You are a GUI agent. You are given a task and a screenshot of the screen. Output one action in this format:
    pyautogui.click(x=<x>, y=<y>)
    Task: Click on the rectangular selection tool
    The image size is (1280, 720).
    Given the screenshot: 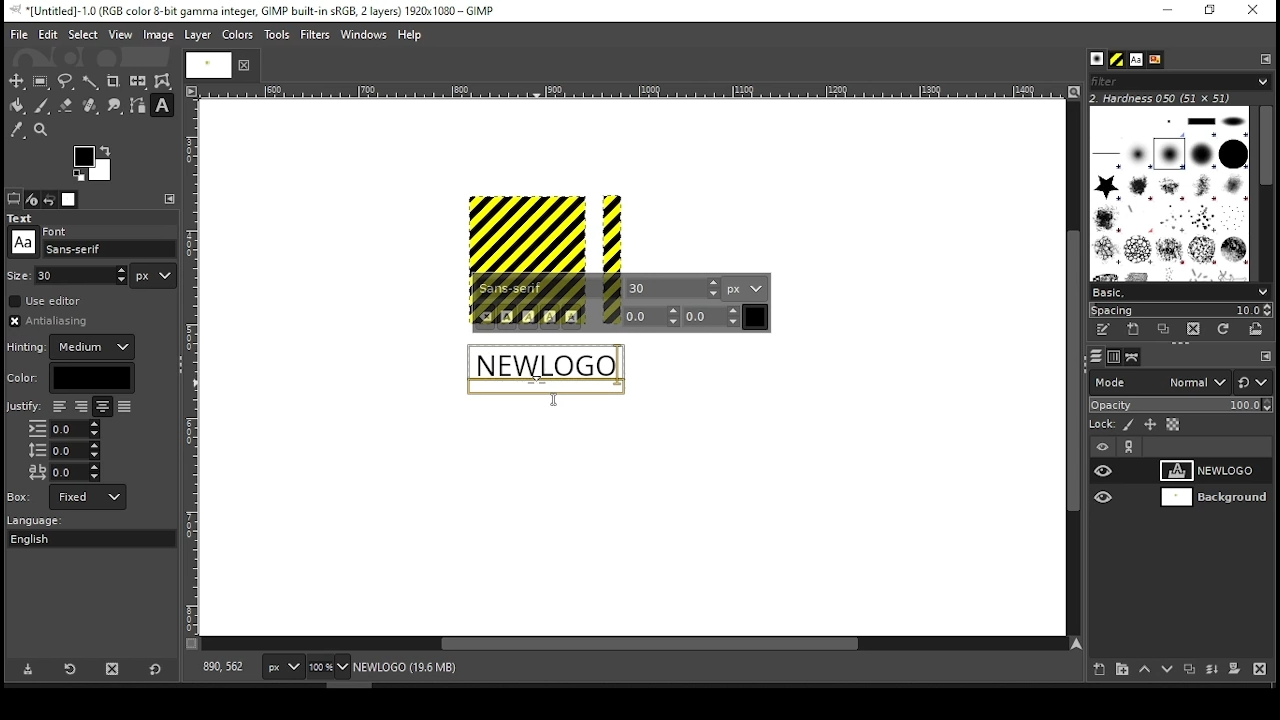 What is the action you would take?
    pyautogui.click(x=43, y=81)
    